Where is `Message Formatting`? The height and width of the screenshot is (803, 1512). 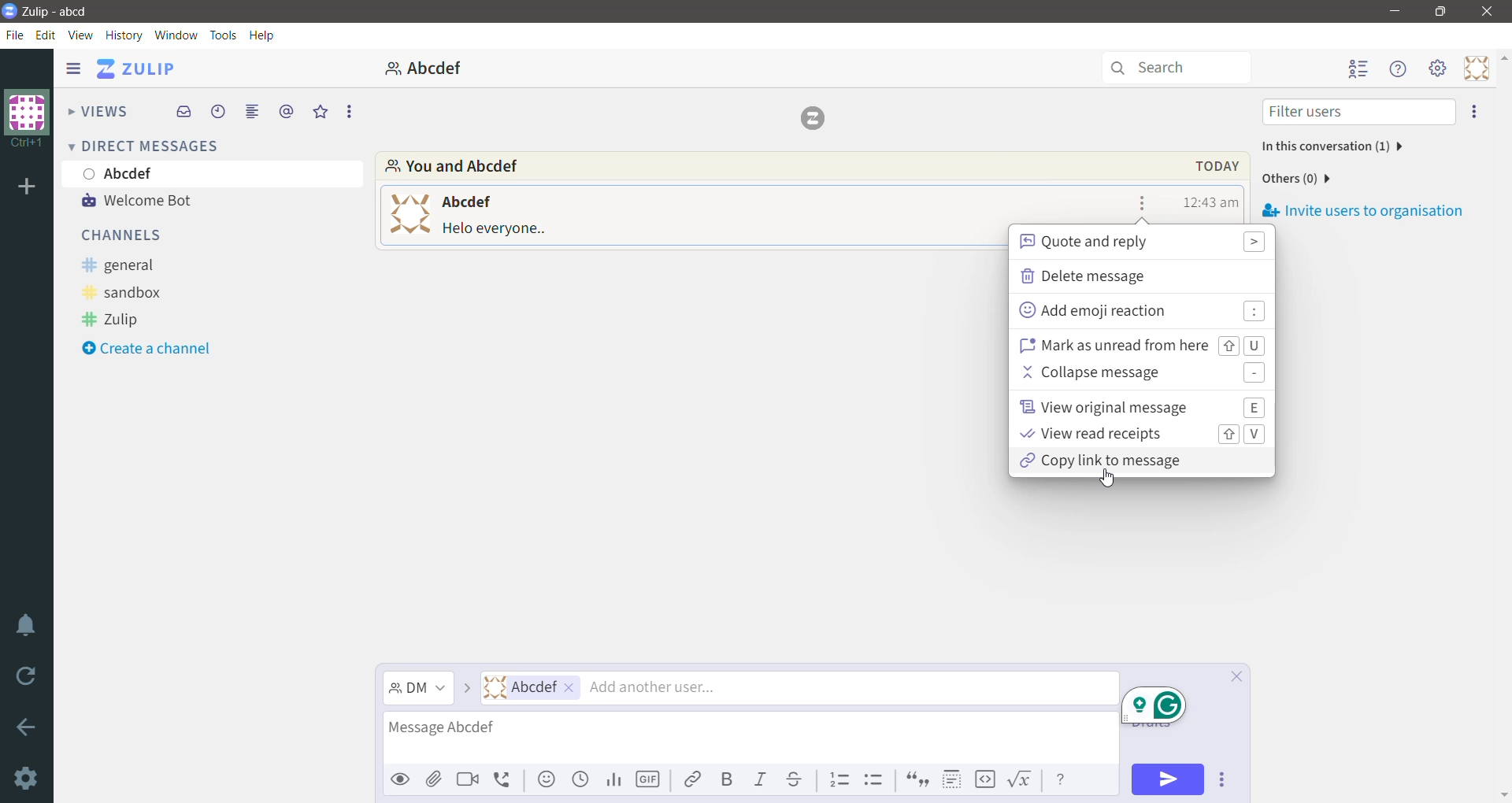
Message Formatting is located at coordinates (1064, 781).